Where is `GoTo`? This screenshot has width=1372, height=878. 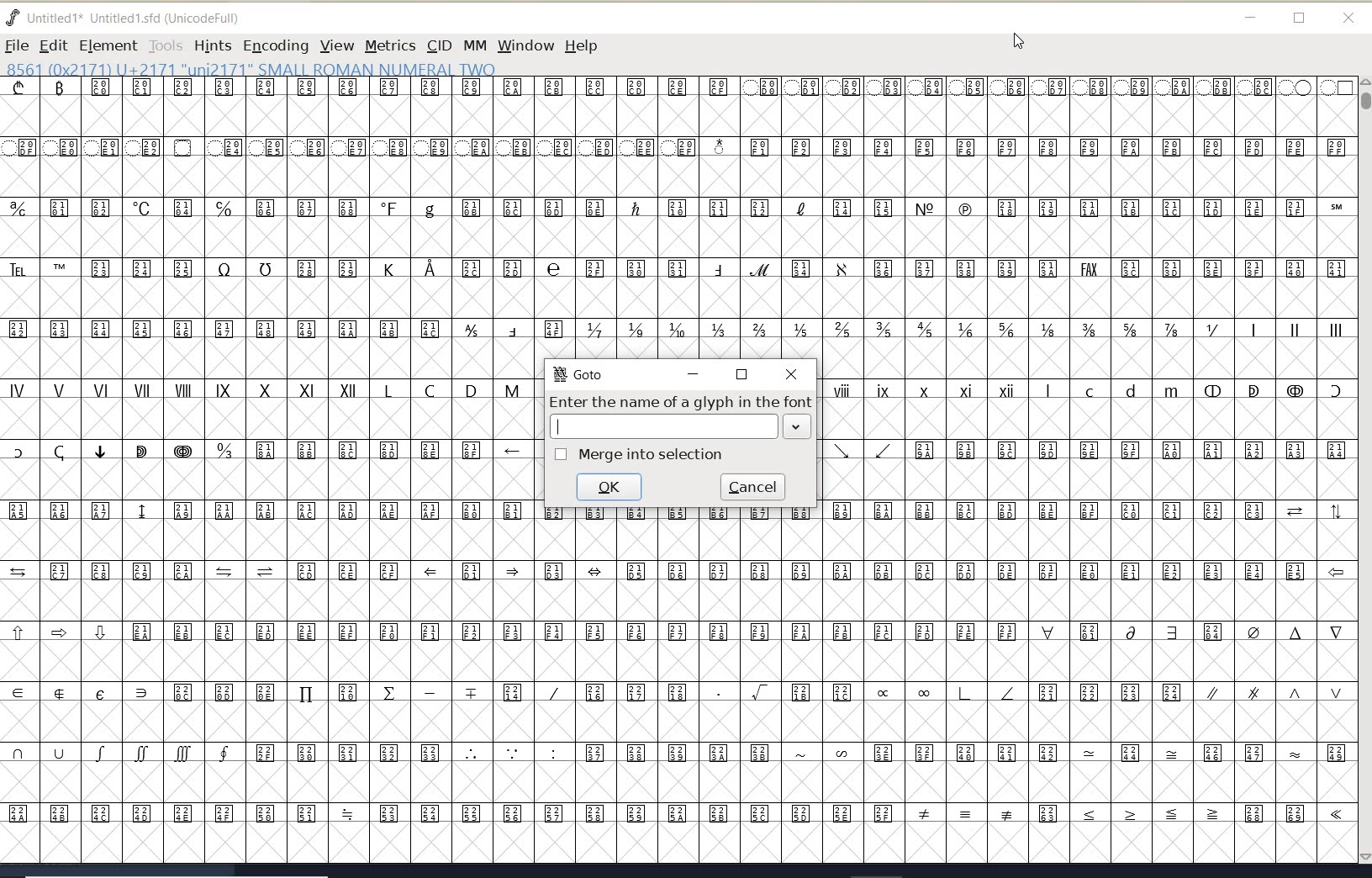 GoTo is located at coordinates (577, 373).